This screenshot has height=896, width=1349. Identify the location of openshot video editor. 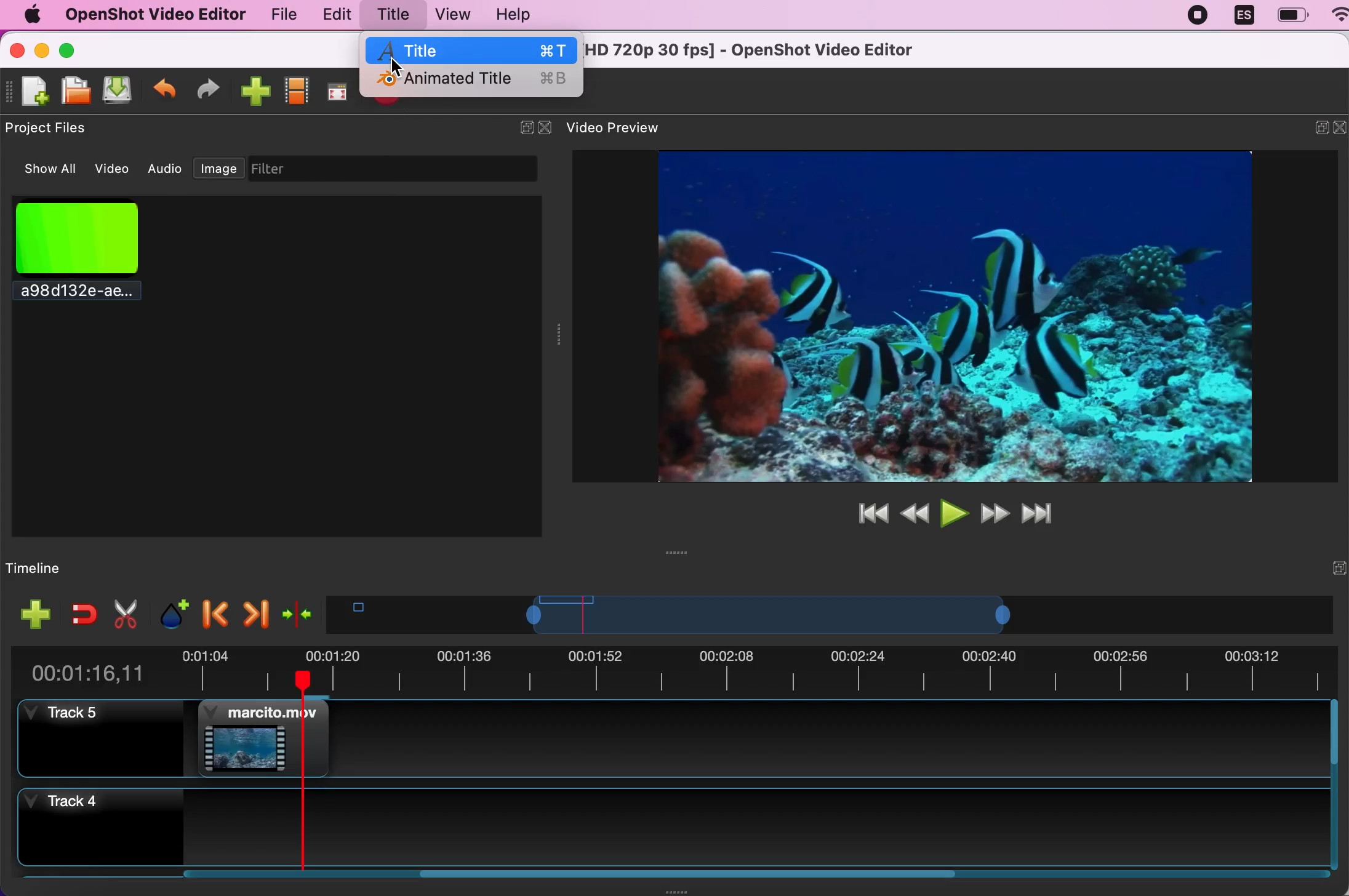
(154, 15).